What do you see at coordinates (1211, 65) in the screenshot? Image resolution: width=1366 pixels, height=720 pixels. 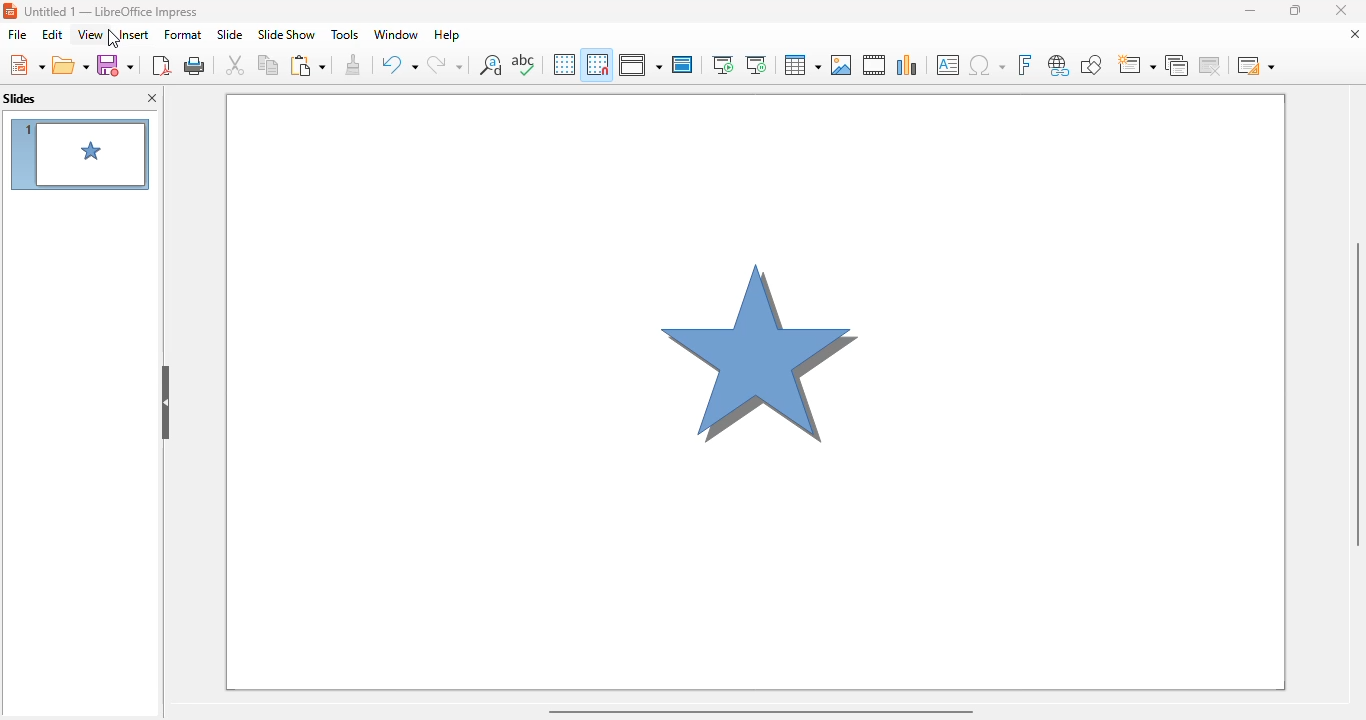 I see `delete slide` at bounding box center [1211, 65].